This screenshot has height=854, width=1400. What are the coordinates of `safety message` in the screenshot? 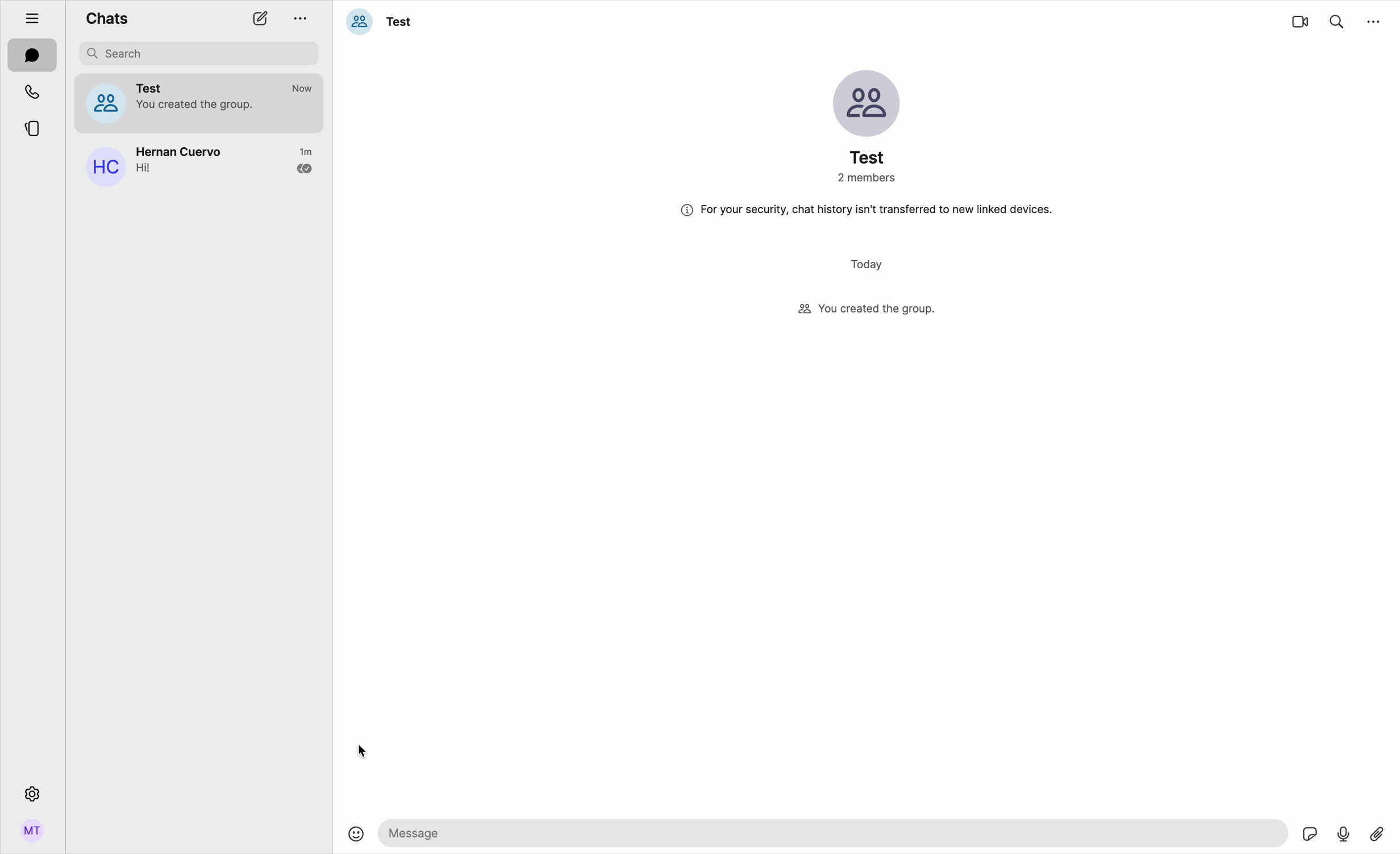 It's located at (864, 210).